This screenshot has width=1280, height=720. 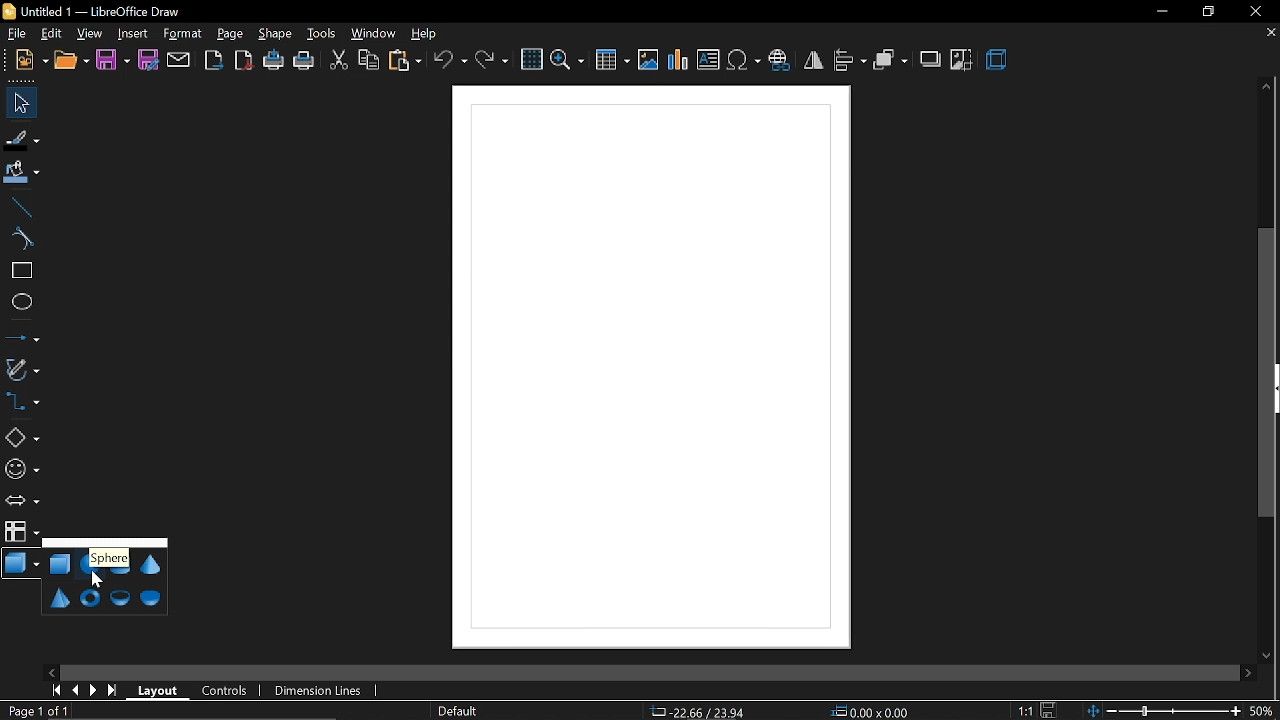 What do you see at coordinates (24, 173) in the screenshot?
I see `fill color` at bounding box center [24, 173].